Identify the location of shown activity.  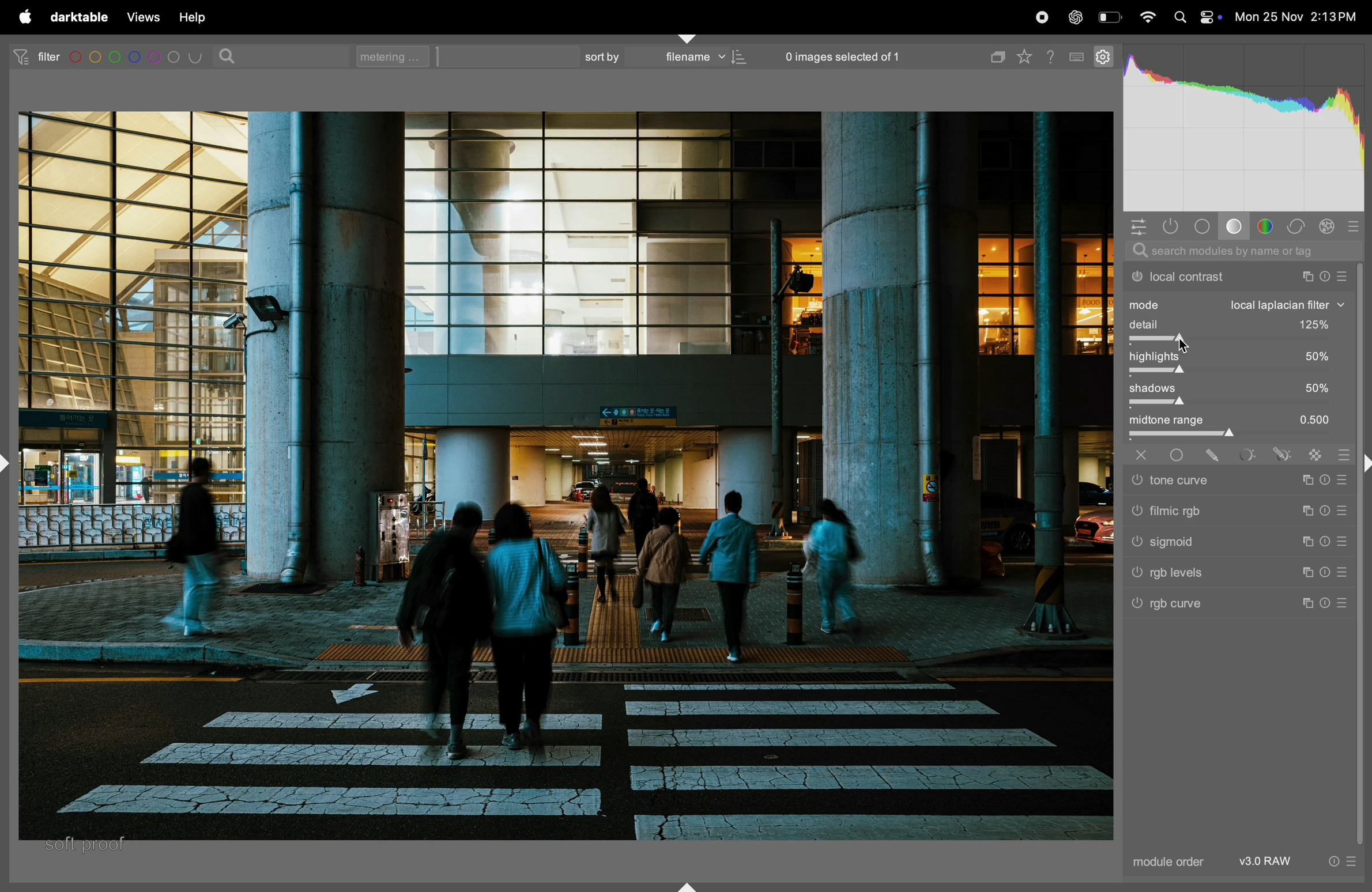
(1174, 227).